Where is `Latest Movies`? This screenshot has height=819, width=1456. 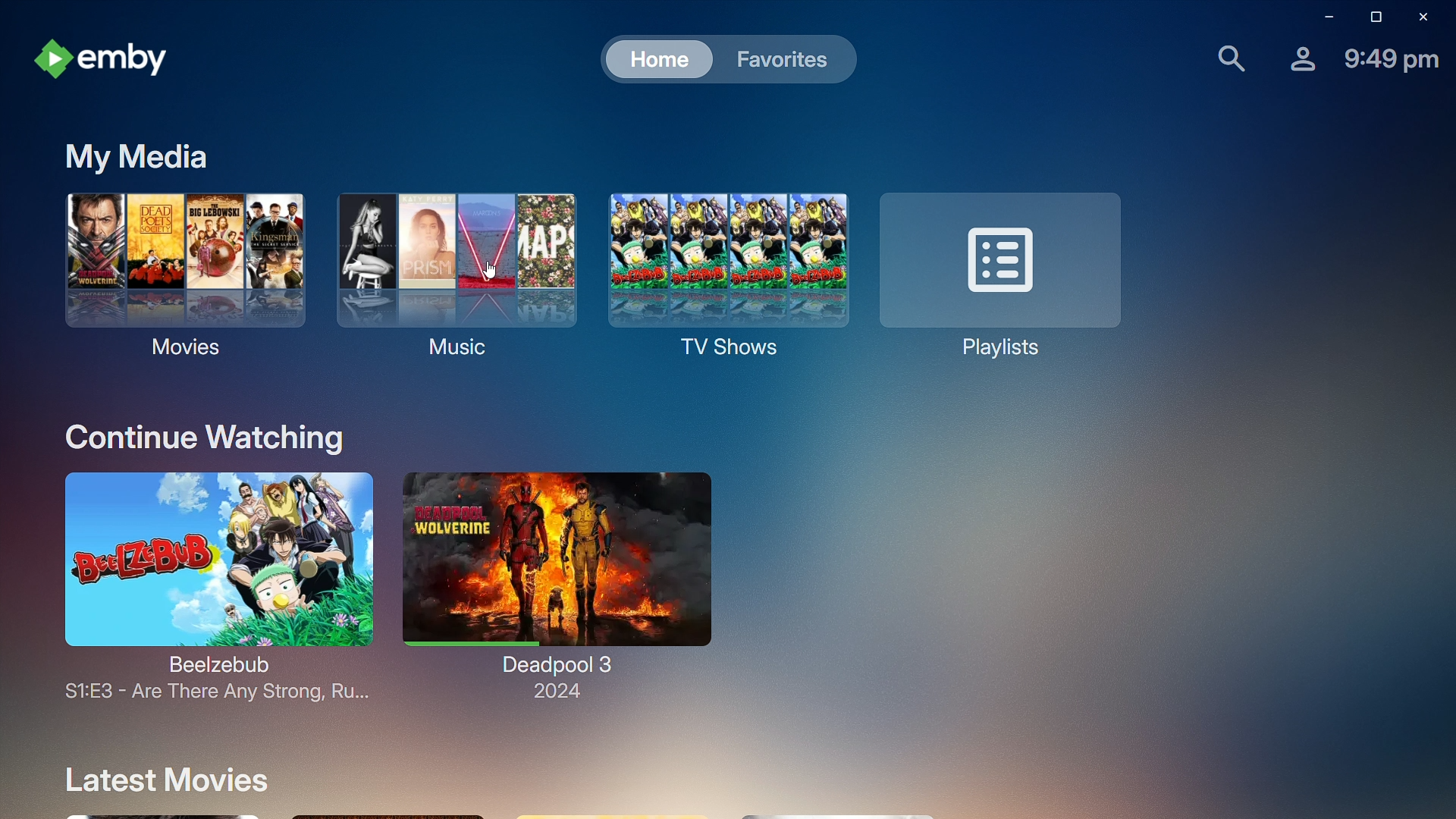 Latest Movies is located at coordinates (159, 780).